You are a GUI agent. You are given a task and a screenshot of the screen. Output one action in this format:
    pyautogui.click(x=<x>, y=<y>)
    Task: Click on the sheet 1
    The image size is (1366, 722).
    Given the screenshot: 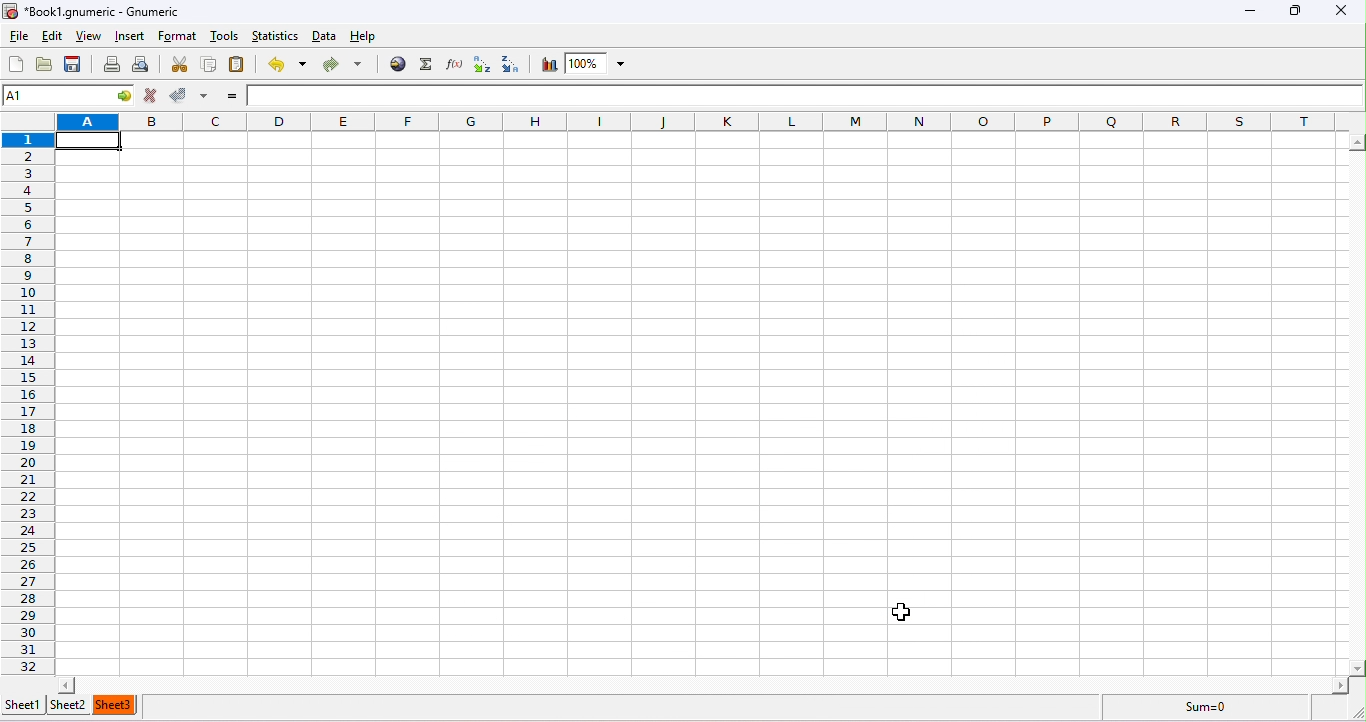 What is the action you would take?
    pyautogui.click(x=23, y=708)
    